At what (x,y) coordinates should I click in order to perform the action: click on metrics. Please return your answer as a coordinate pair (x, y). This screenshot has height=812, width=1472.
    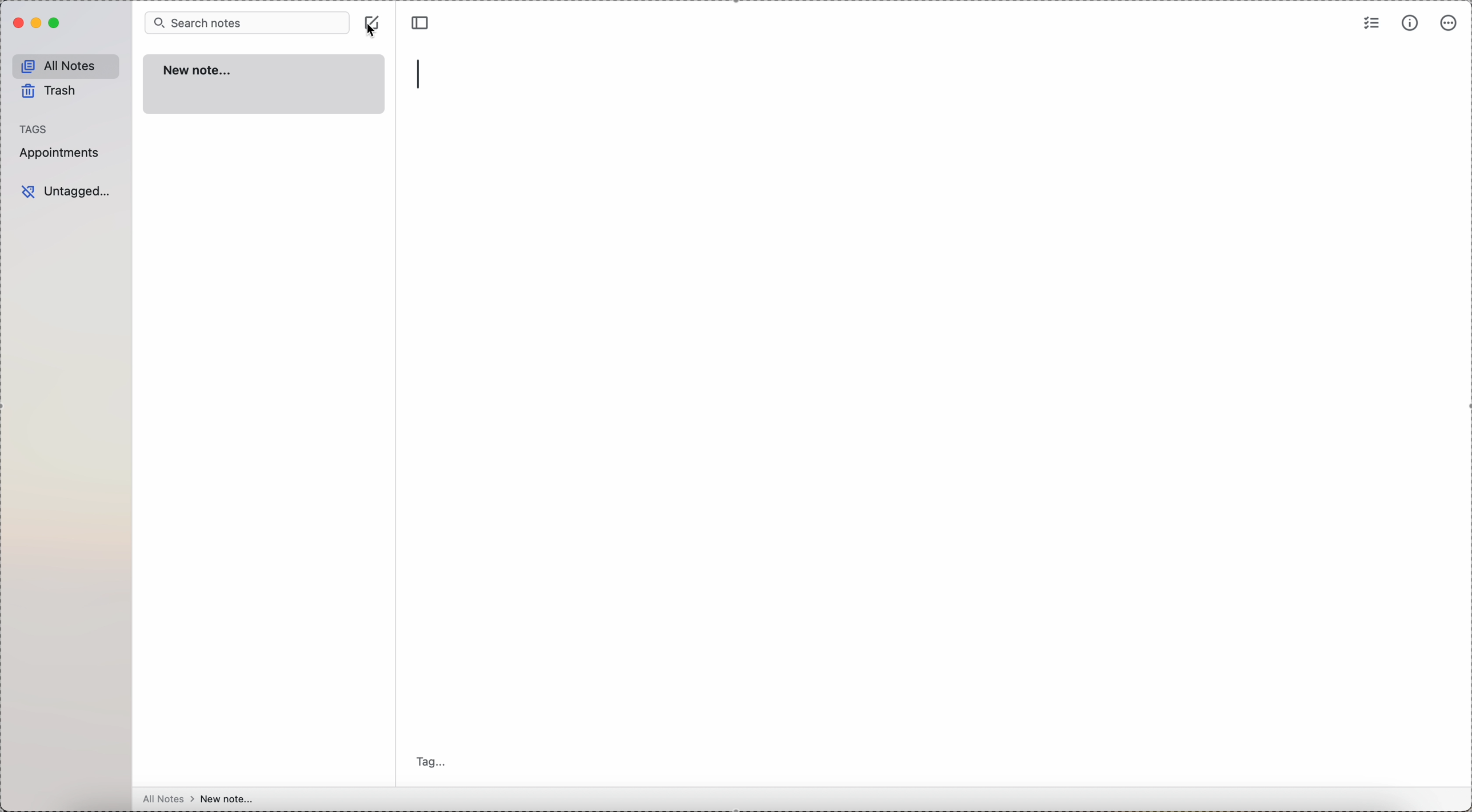
    Looking at the image, I should click on (1410, 23).